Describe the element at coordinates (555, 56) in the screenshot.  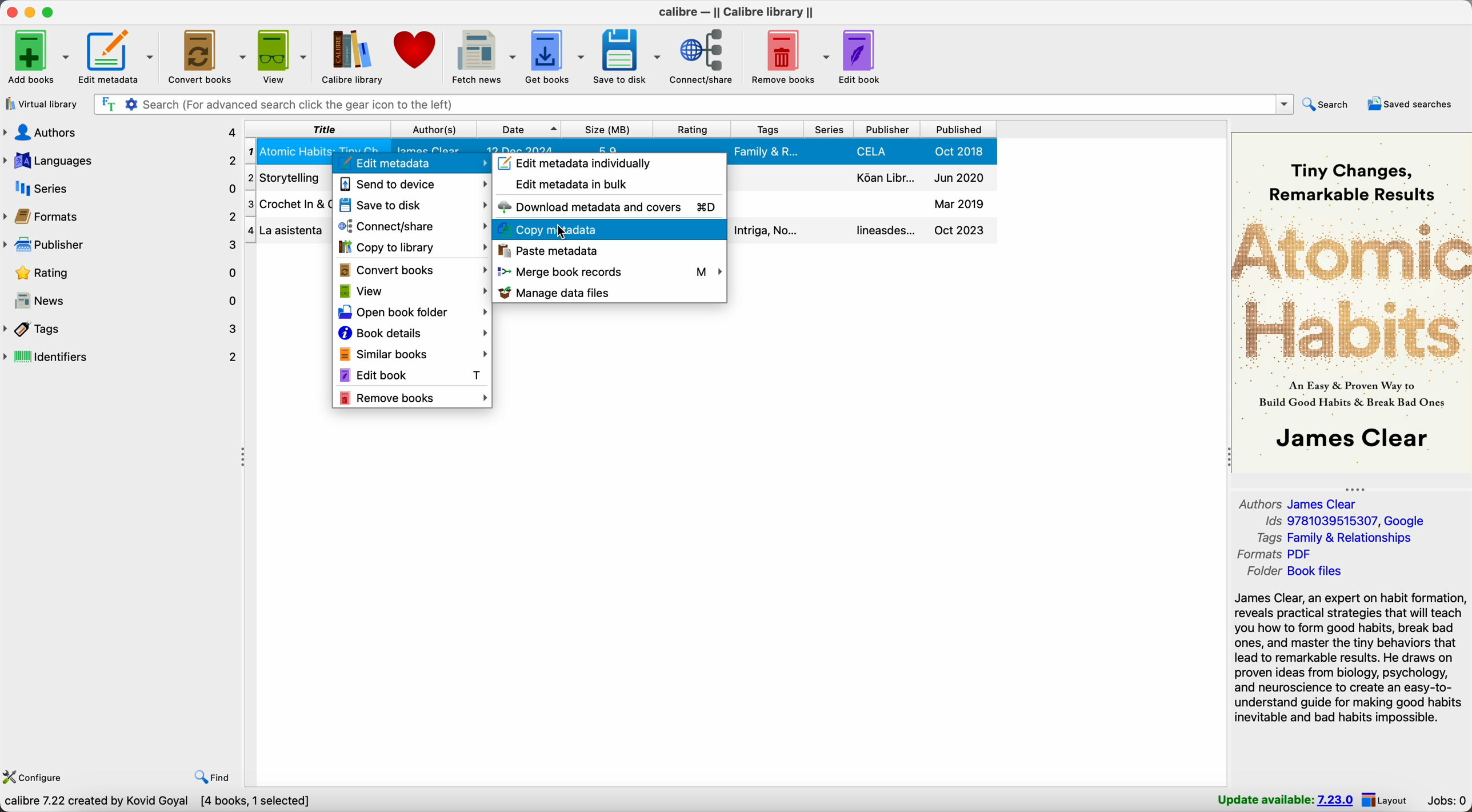
I see `get books` at that location.